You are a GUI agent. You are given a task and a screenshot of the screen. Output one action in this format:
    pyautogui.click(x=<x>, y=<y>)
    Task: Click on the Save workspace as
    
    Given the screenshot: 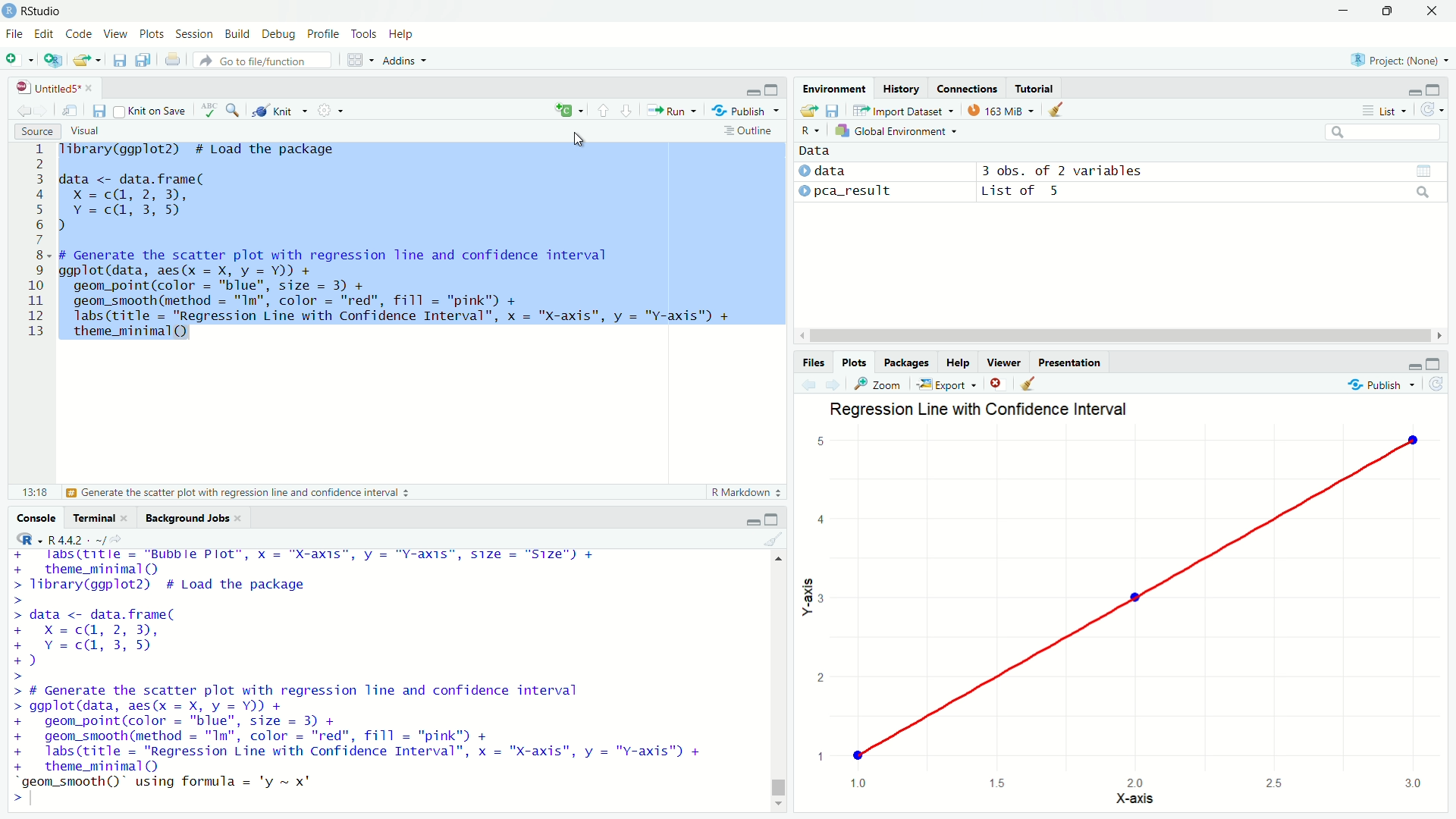 What is the action you would take?
    pyautogui.click(x=832, y=109)
    